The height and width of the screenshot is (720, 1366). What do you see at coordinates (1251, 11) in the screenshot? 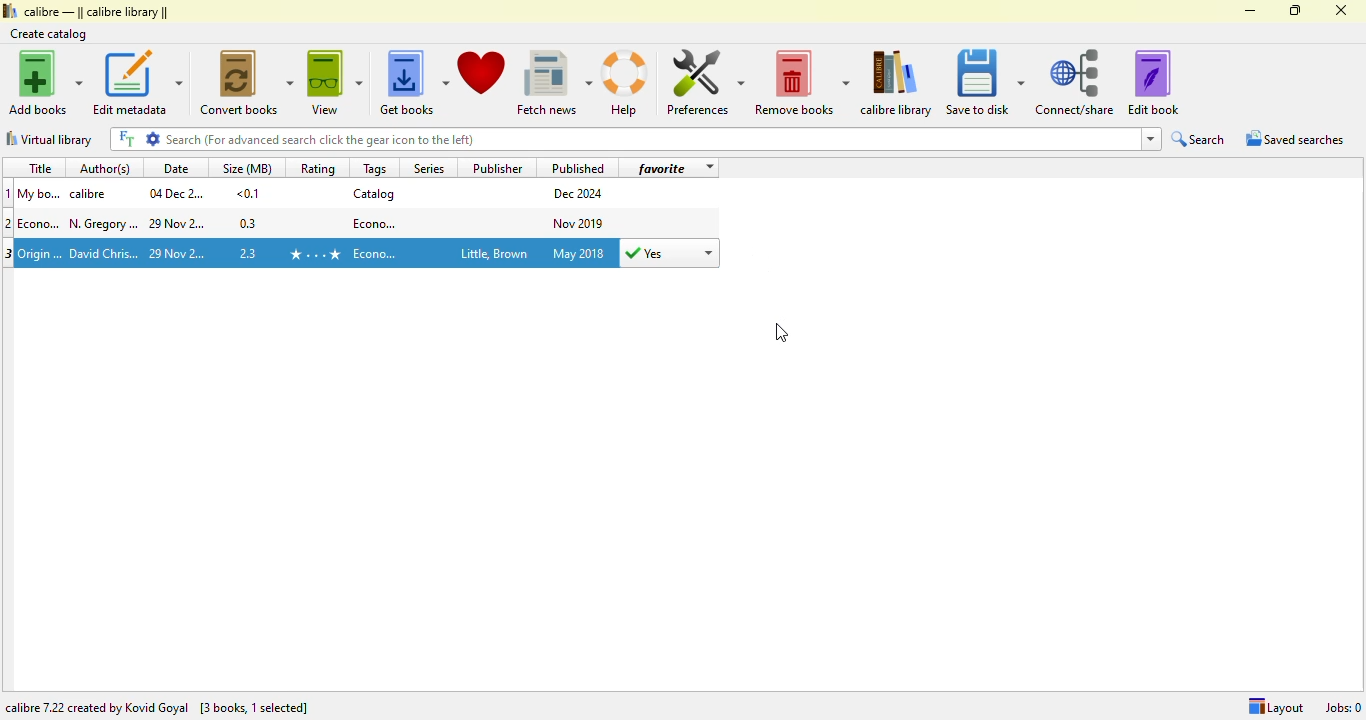
I see `minimize` at bounding box center [1251, 11].